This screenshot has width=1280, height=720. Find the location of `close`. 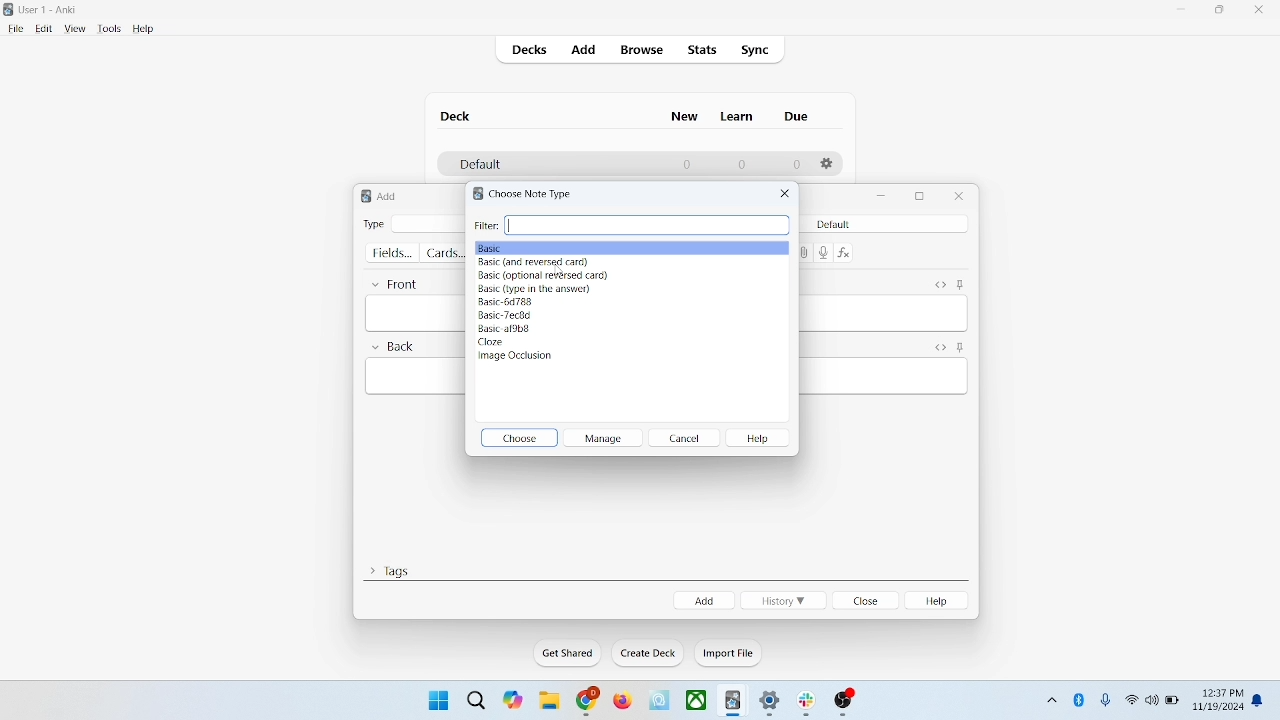

close is located at coordinates (785, 194).